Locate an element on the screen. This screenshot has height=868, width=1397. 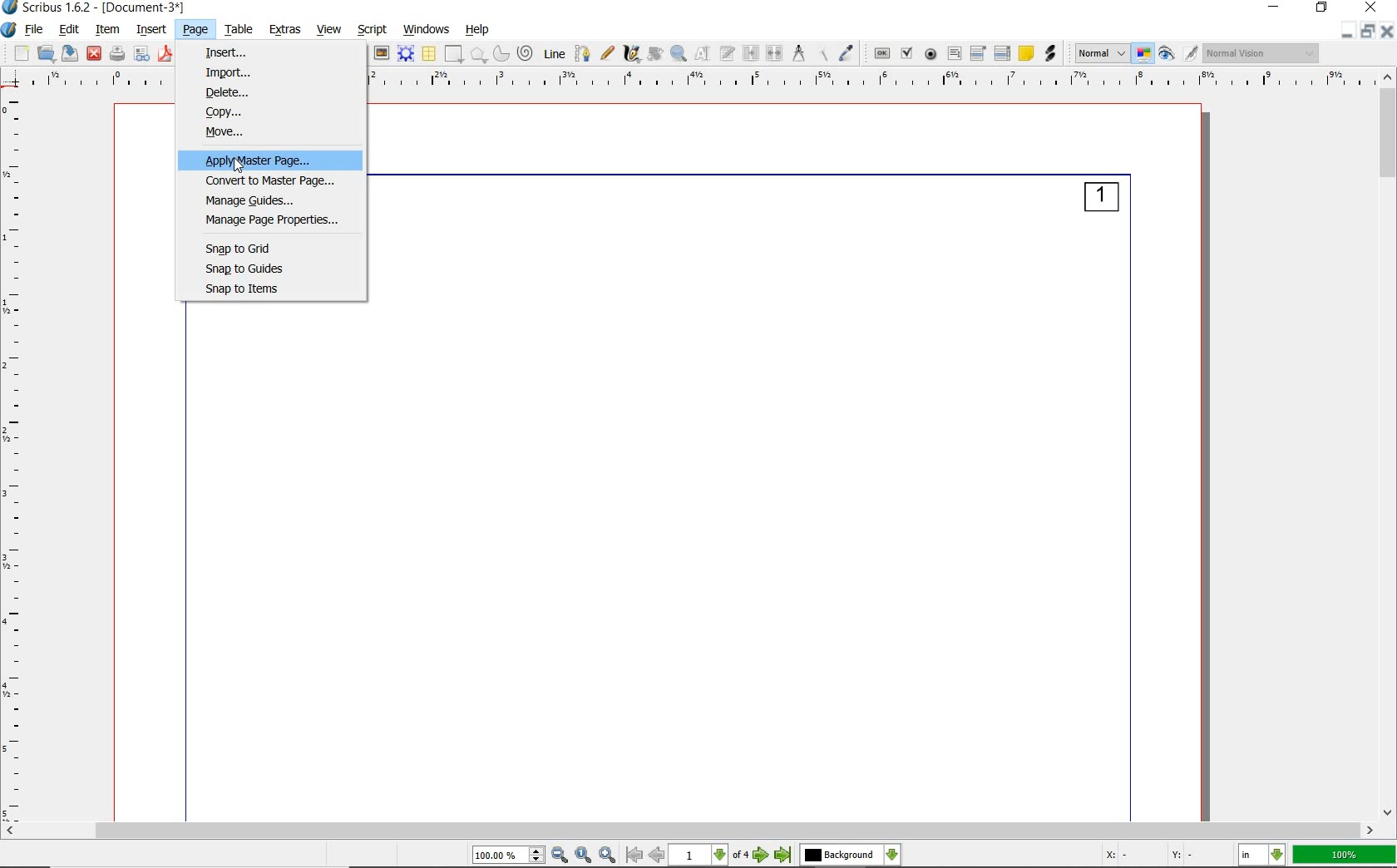
preview mode is located at coordinates (1180, 52).